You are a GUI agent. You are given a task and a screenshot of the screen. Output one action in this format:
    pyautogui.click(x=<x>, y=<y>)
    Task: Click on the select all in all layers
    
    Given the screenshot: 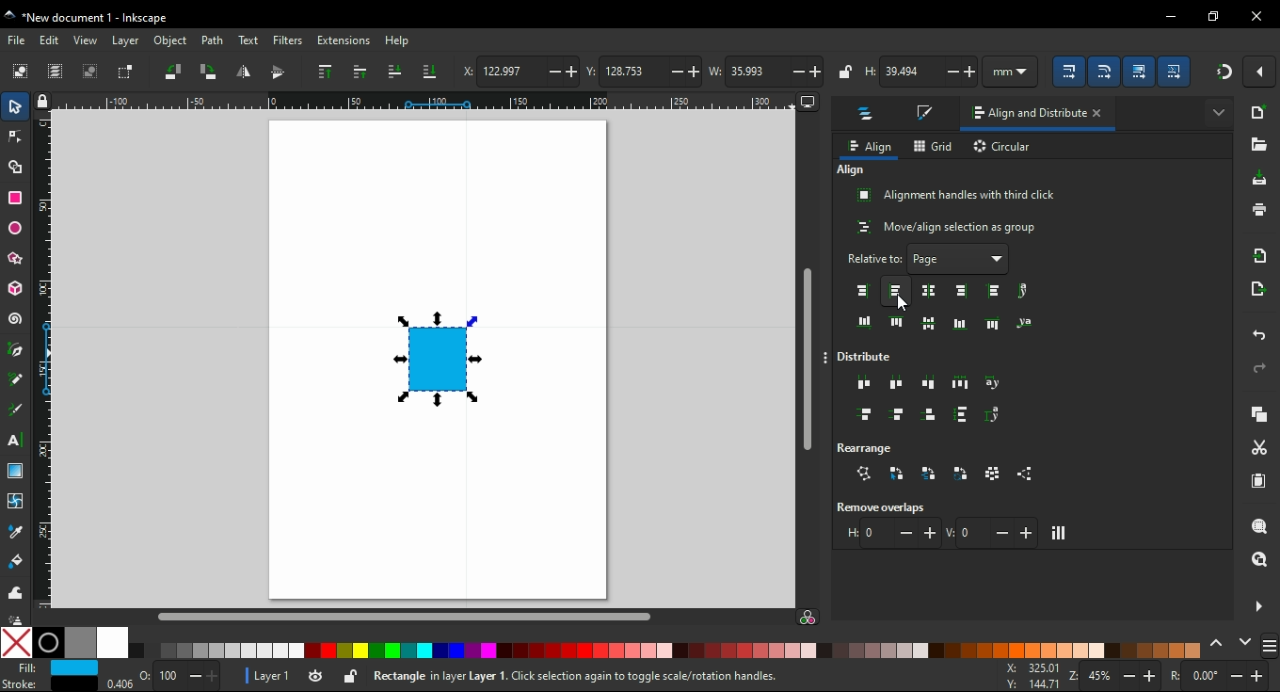 What is the action you would take?
    pyautogui.click(x=56, y=72)
    